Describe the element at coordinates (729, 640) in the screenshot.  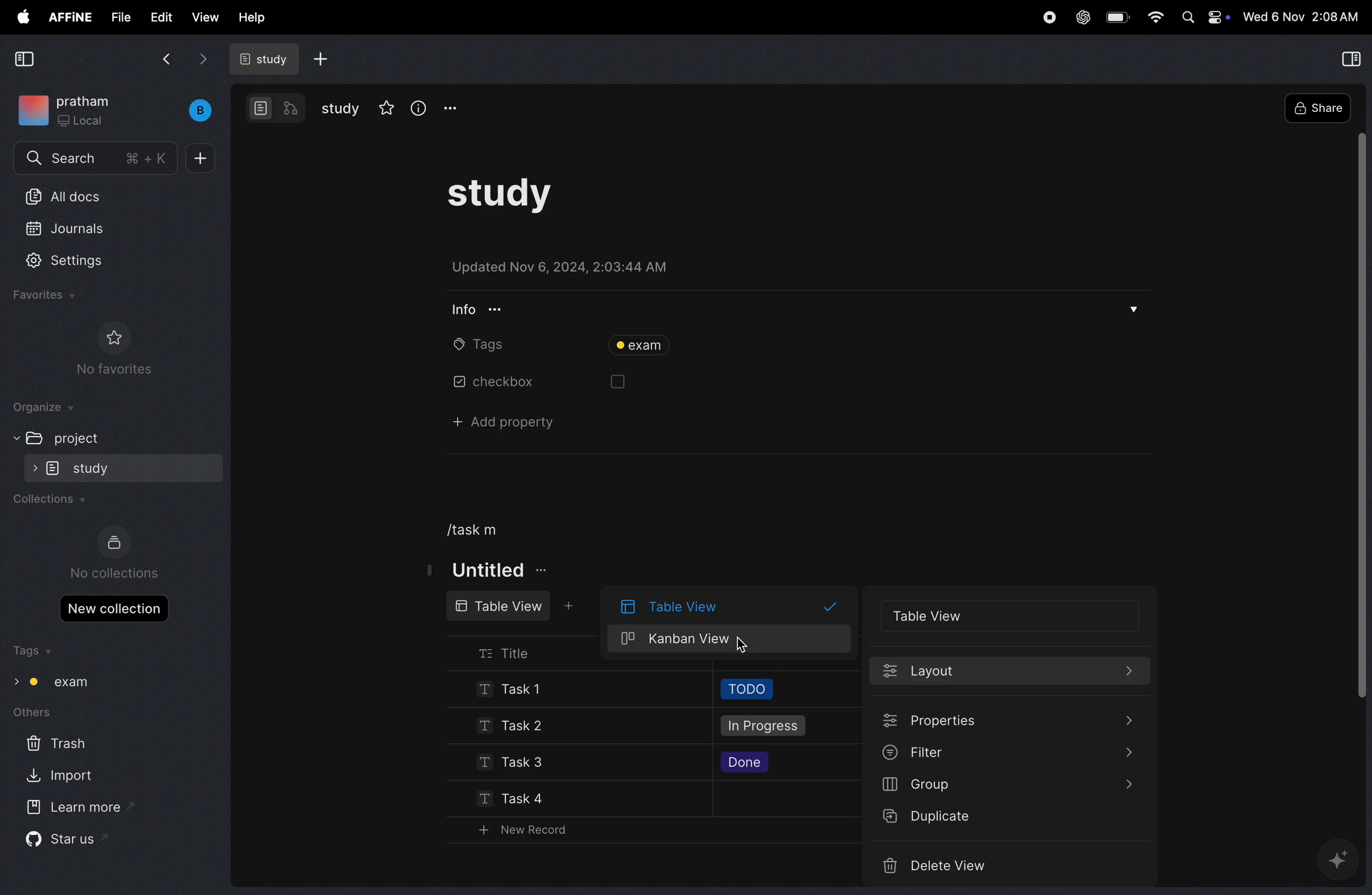
I see `kanban view` at that location.